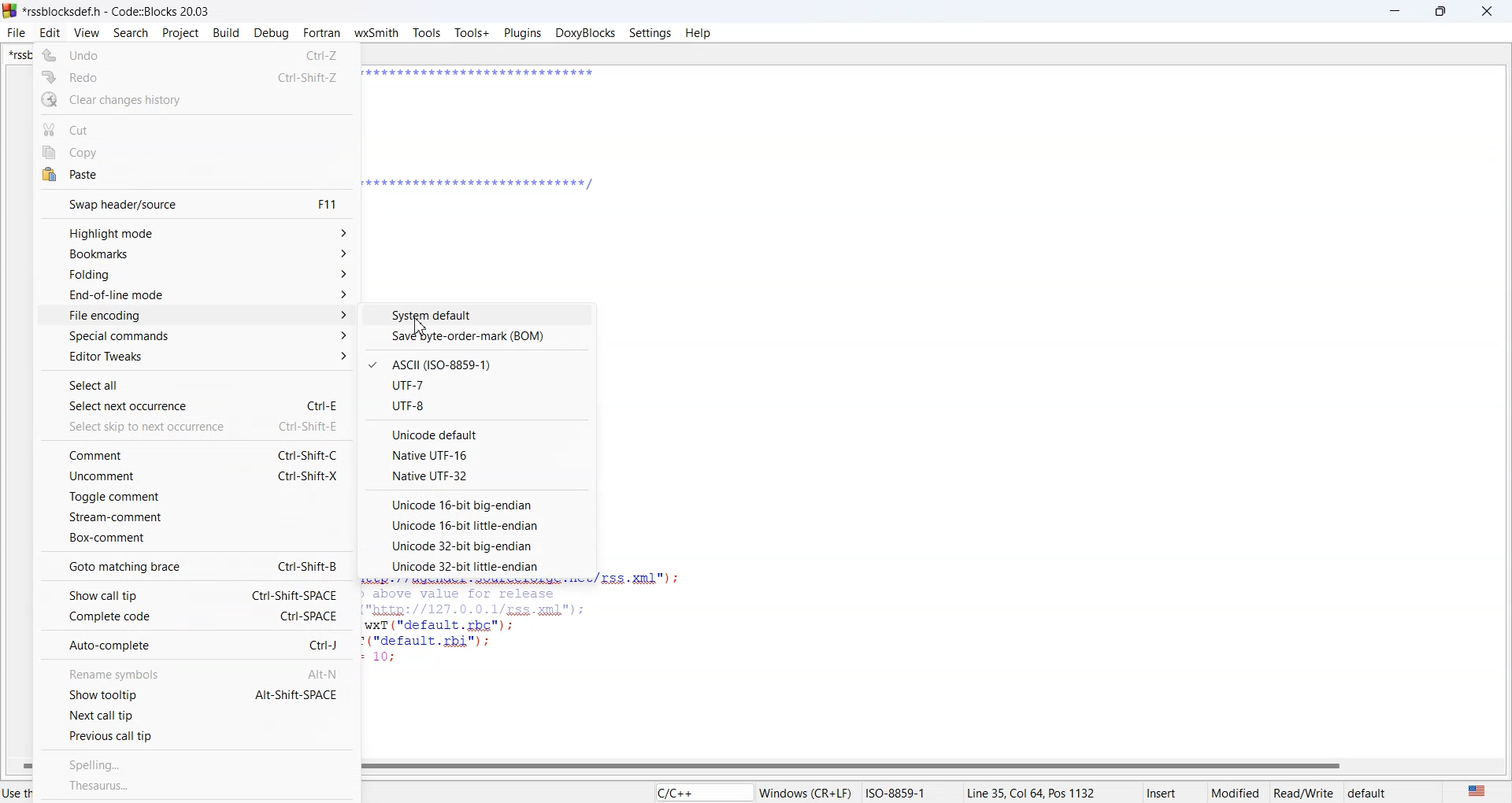 The image size is (1512, 803). I want to click on File Encoding, so click(199, 315).